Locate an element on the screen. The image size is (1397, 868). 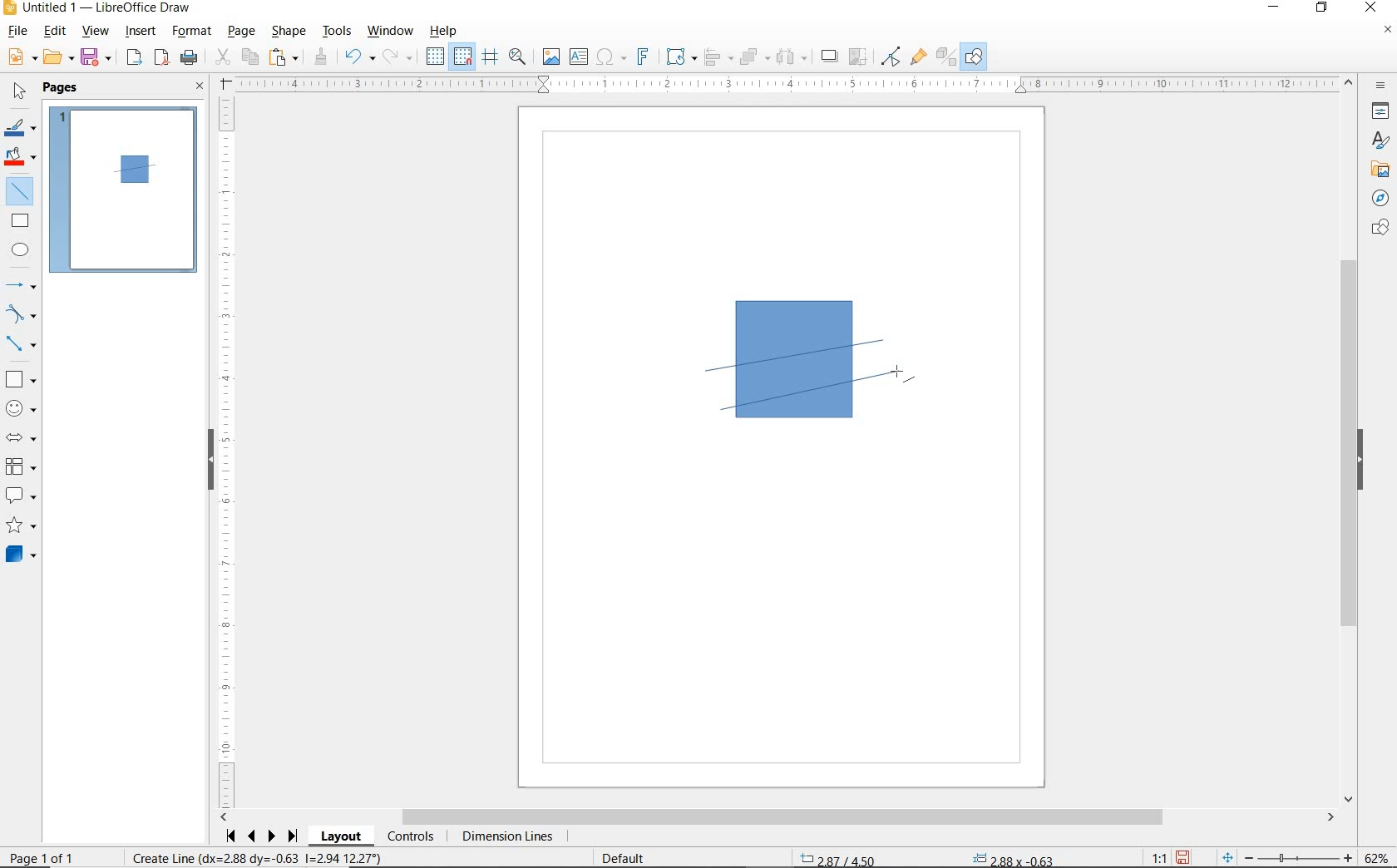
EXPORT is located at coordinates (135, 59).